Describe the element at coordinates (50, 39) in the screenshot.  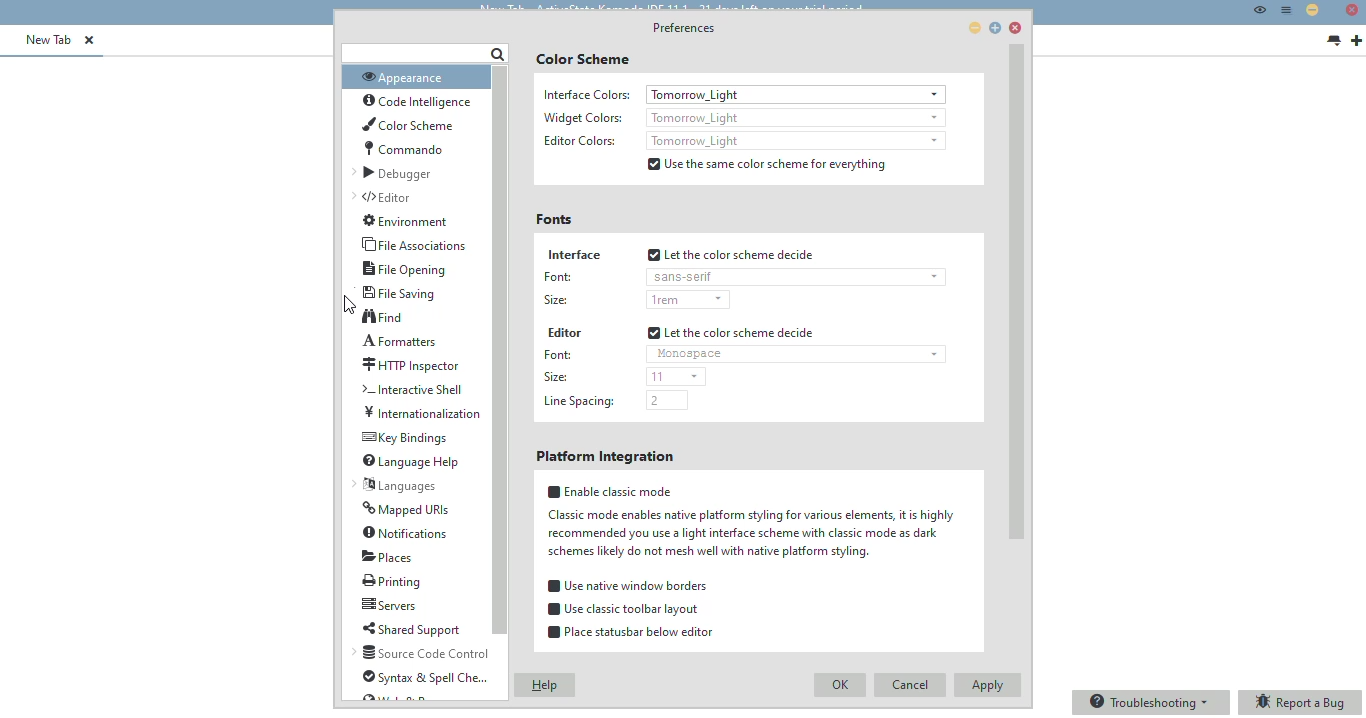
I see `new tab` at that location.